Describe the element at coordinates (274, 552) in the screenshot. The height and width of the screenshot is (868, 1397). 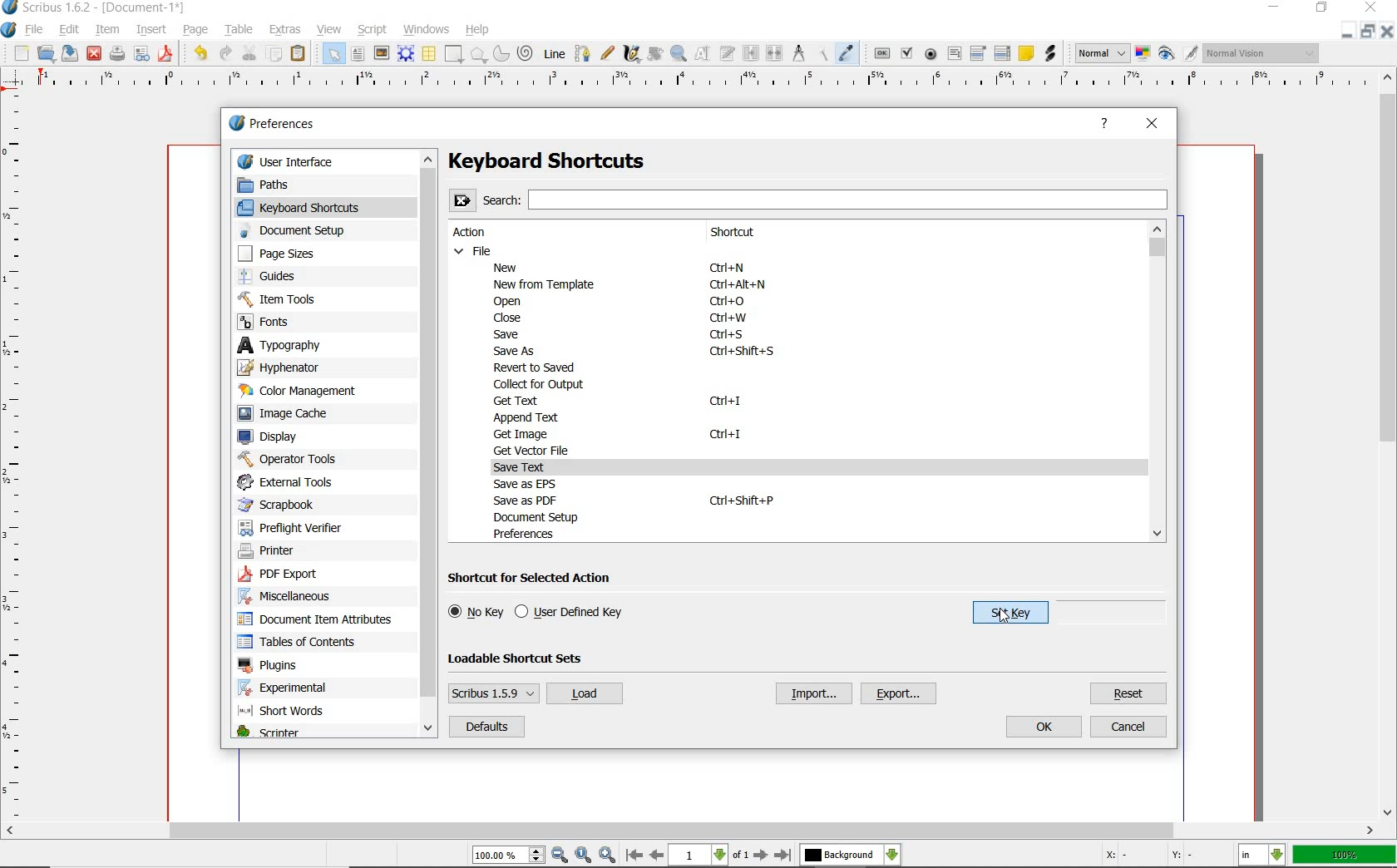
I see `printer` at that location.